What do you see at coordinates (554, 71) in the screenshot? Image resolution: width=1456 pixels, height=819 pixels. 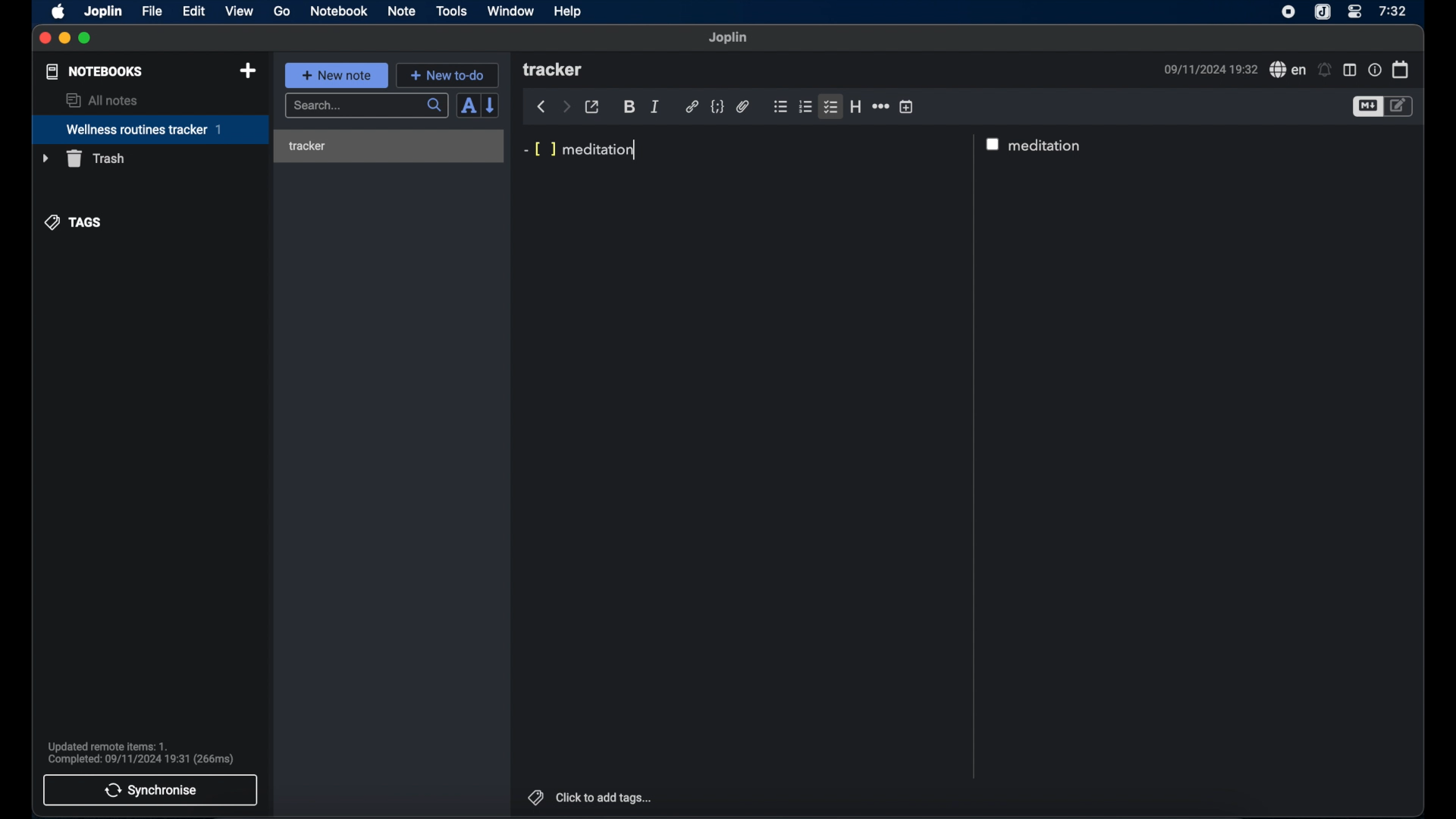 I see `tracker` at bounding box center [554, 71].